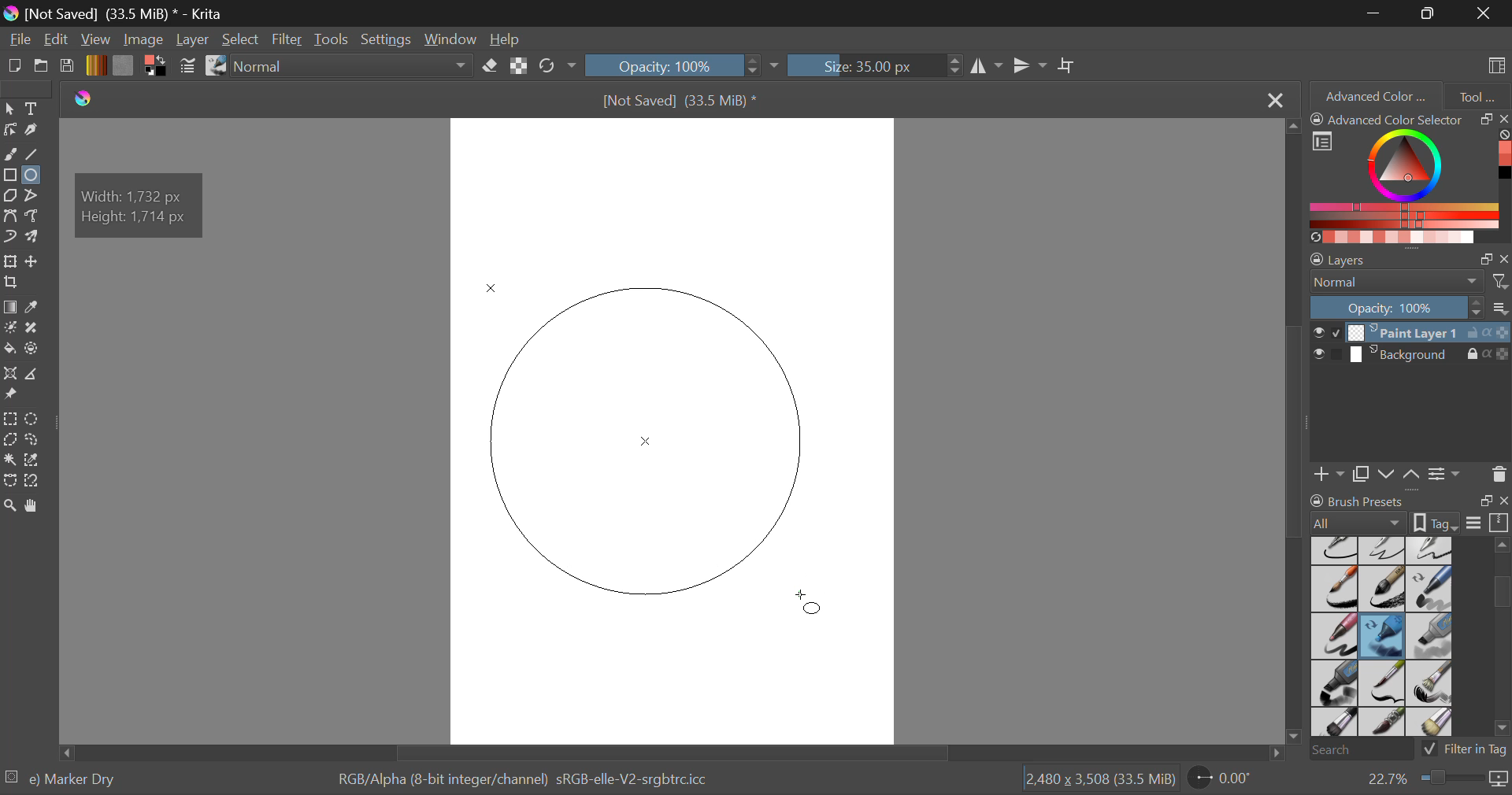 This screenshot has height=795, width=1512. What do you see at coordinates (1400, 472) in the screenshot?
I see `Move Layers` at bounding box center [1400, 472].